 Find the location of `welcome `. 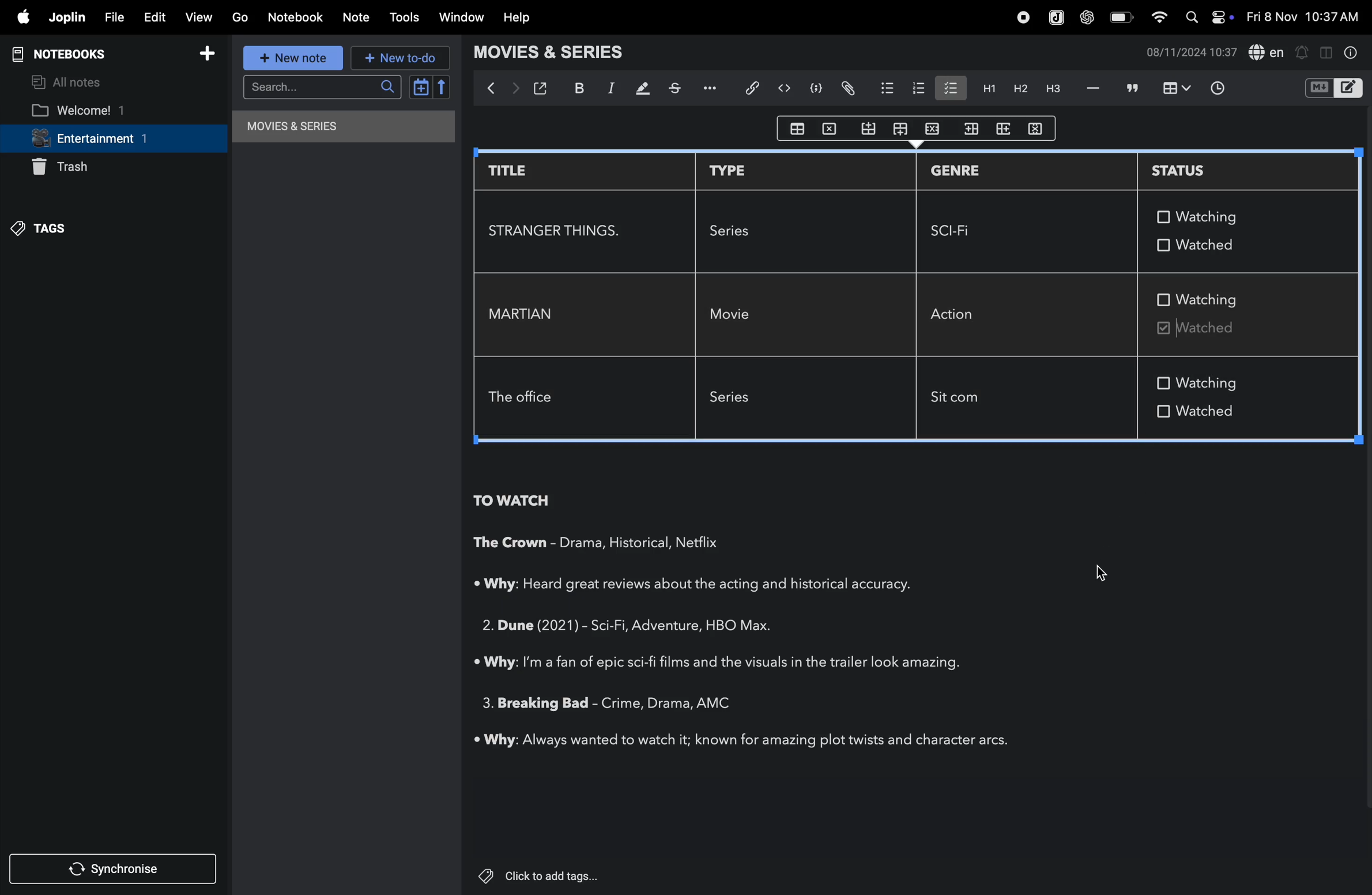

welcome  is located at coordinates (100, 110).